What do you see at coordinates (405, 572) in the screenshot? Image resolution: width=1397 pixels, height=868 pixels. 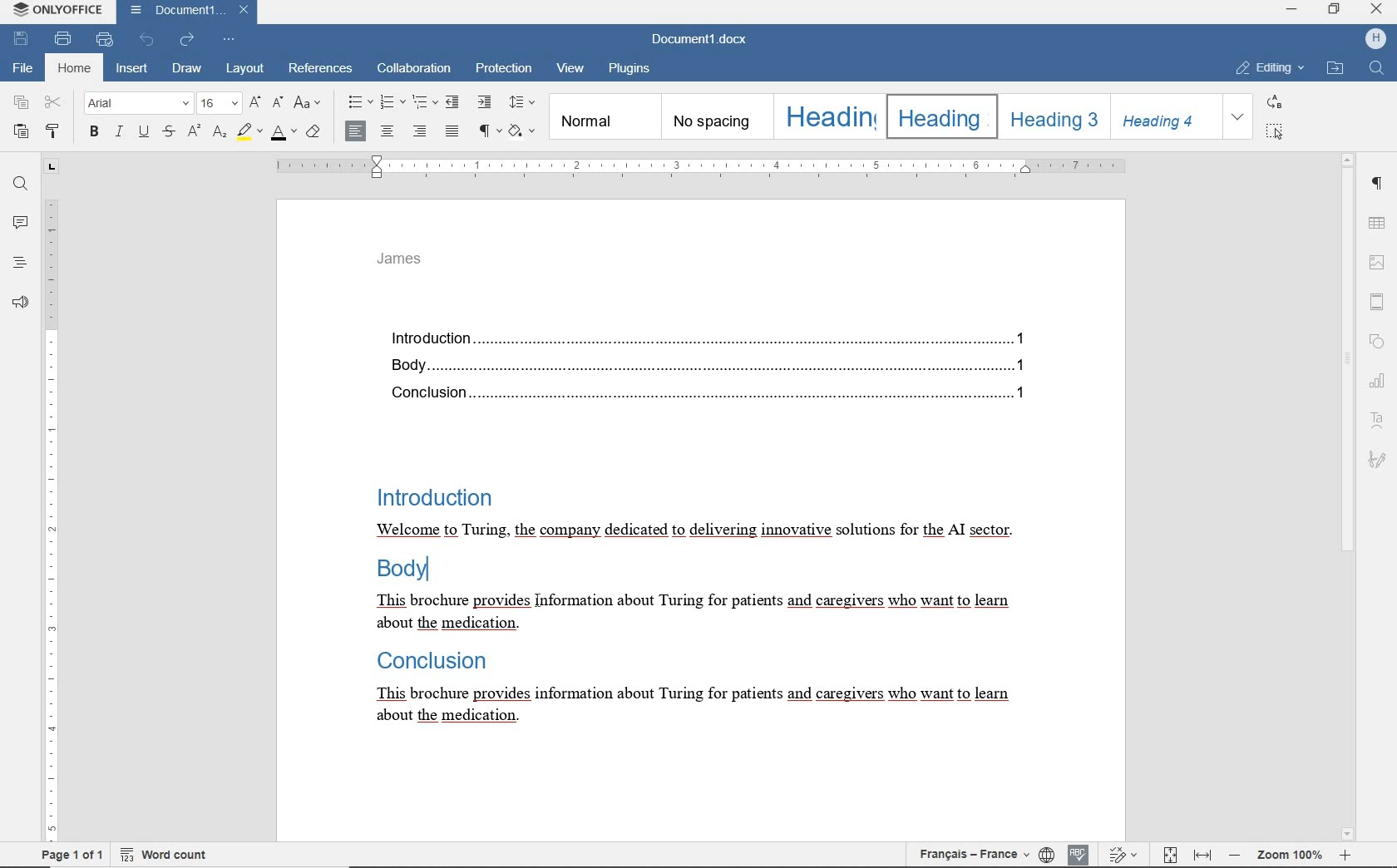 I see `Body` at bounding box center [405, 572].